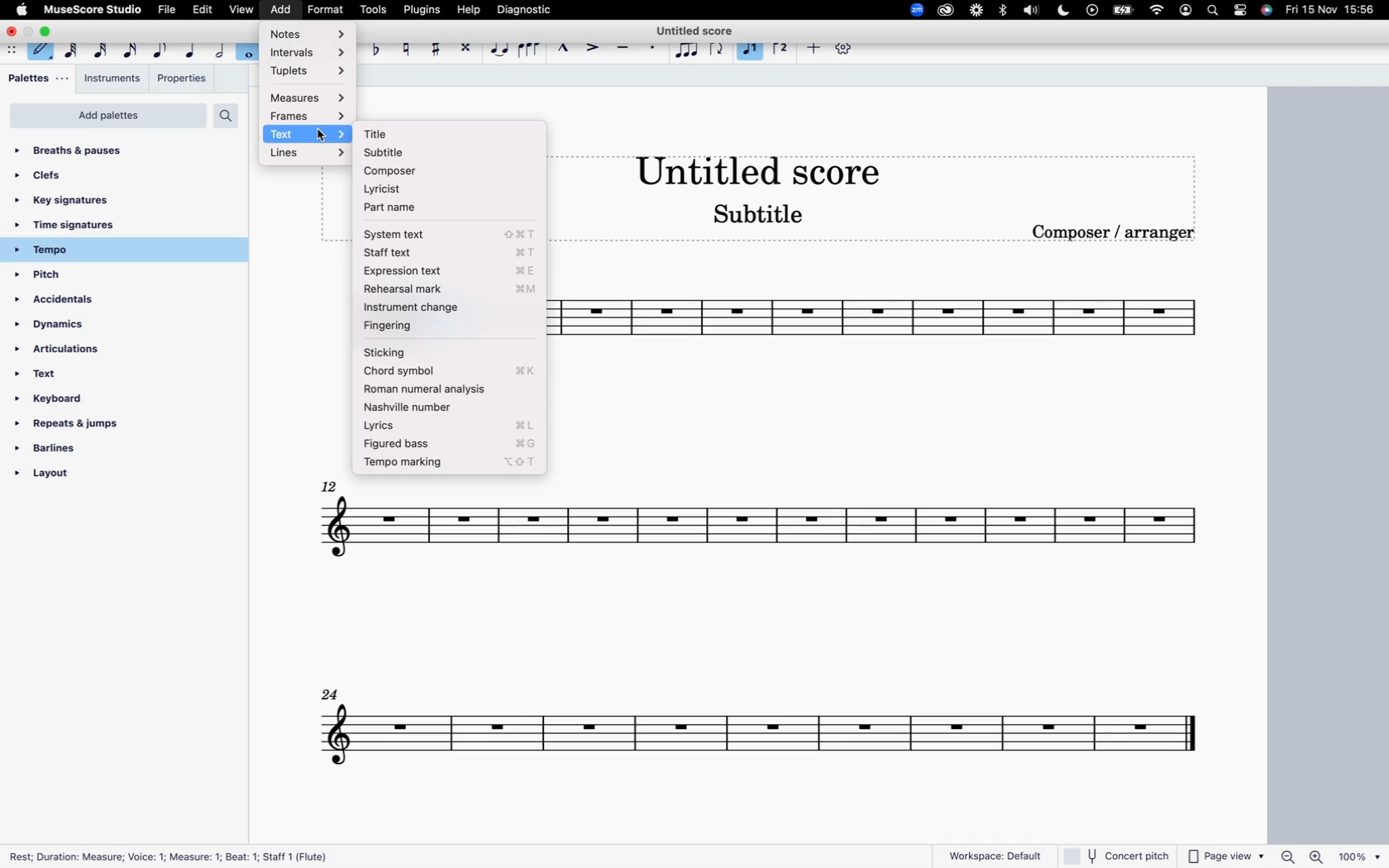  Describe the element at coordinates (321, 140) in the screenshot. I see `cursor` at that location.